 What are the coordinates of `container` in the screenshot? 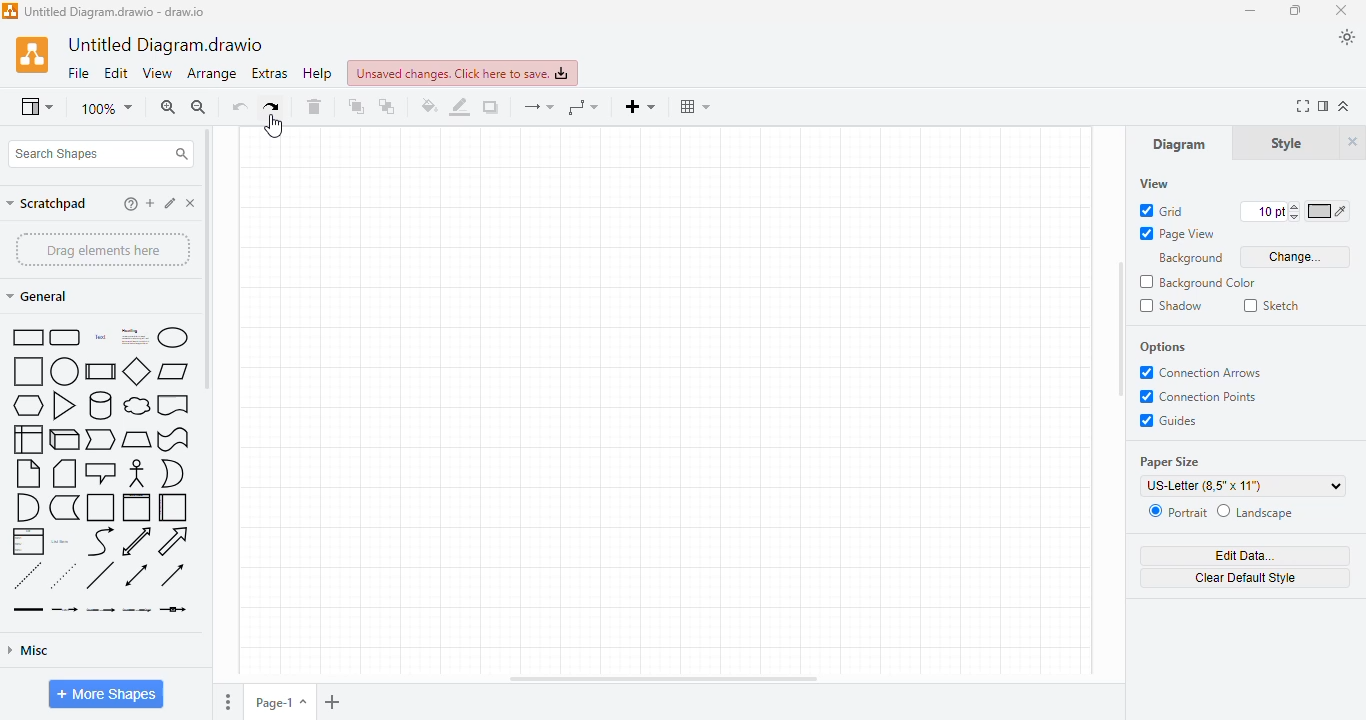 It's located at (101, 508).